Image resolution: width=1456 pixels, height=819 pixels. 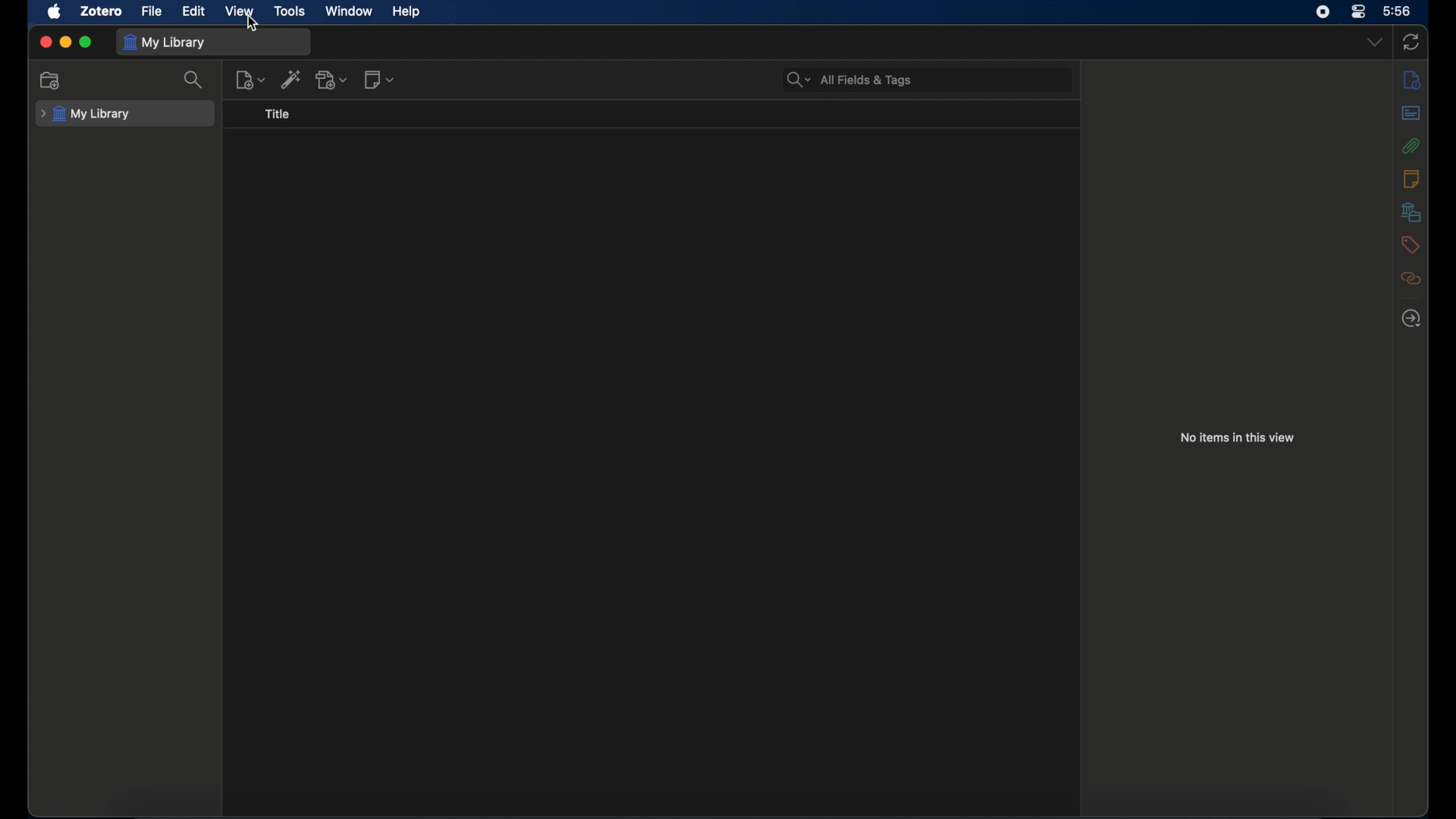 I want to click on control center, so click(x=1357, y=11).